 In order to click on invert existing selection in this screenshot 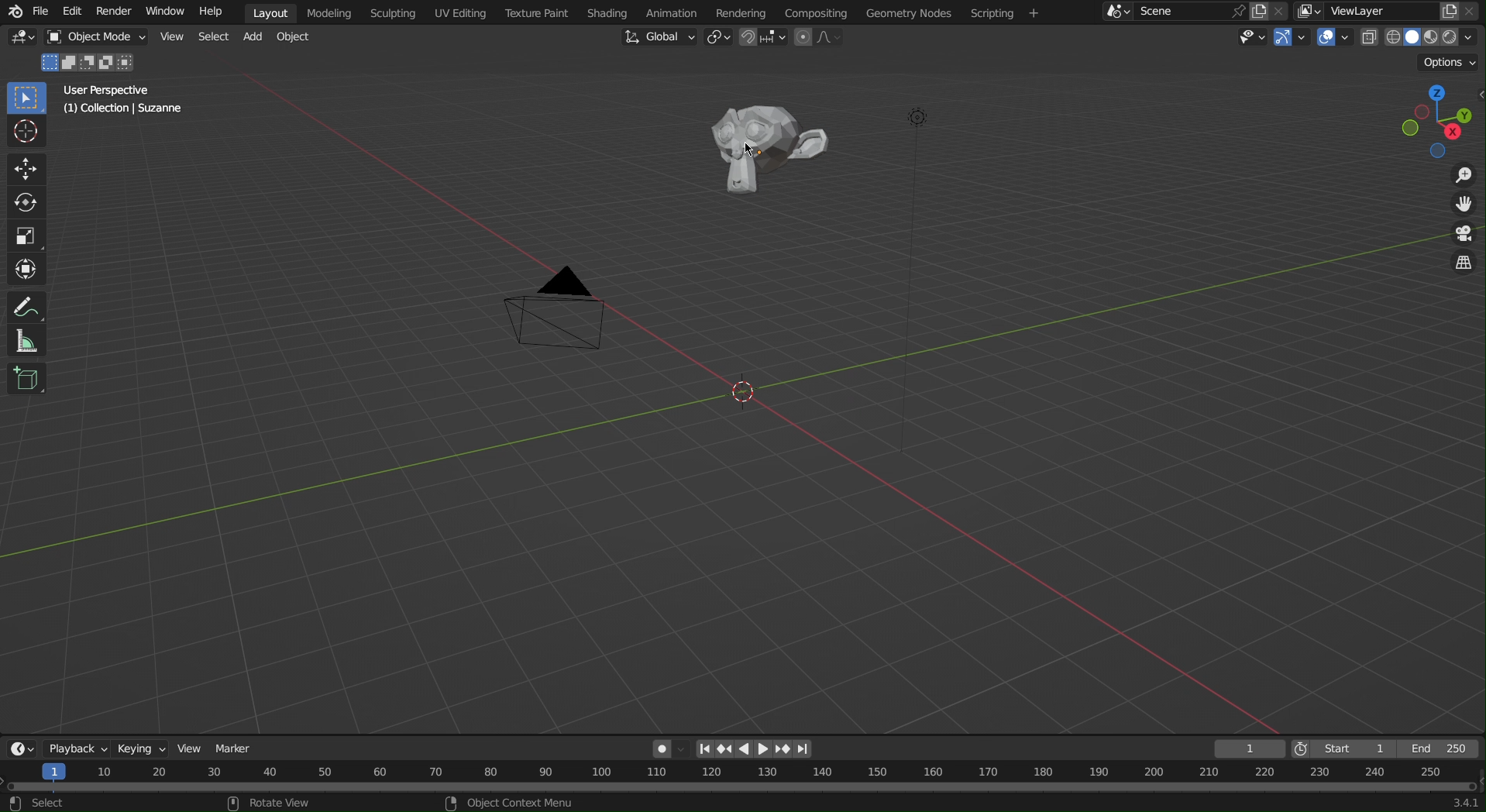, I will do `click(108, 64)`.